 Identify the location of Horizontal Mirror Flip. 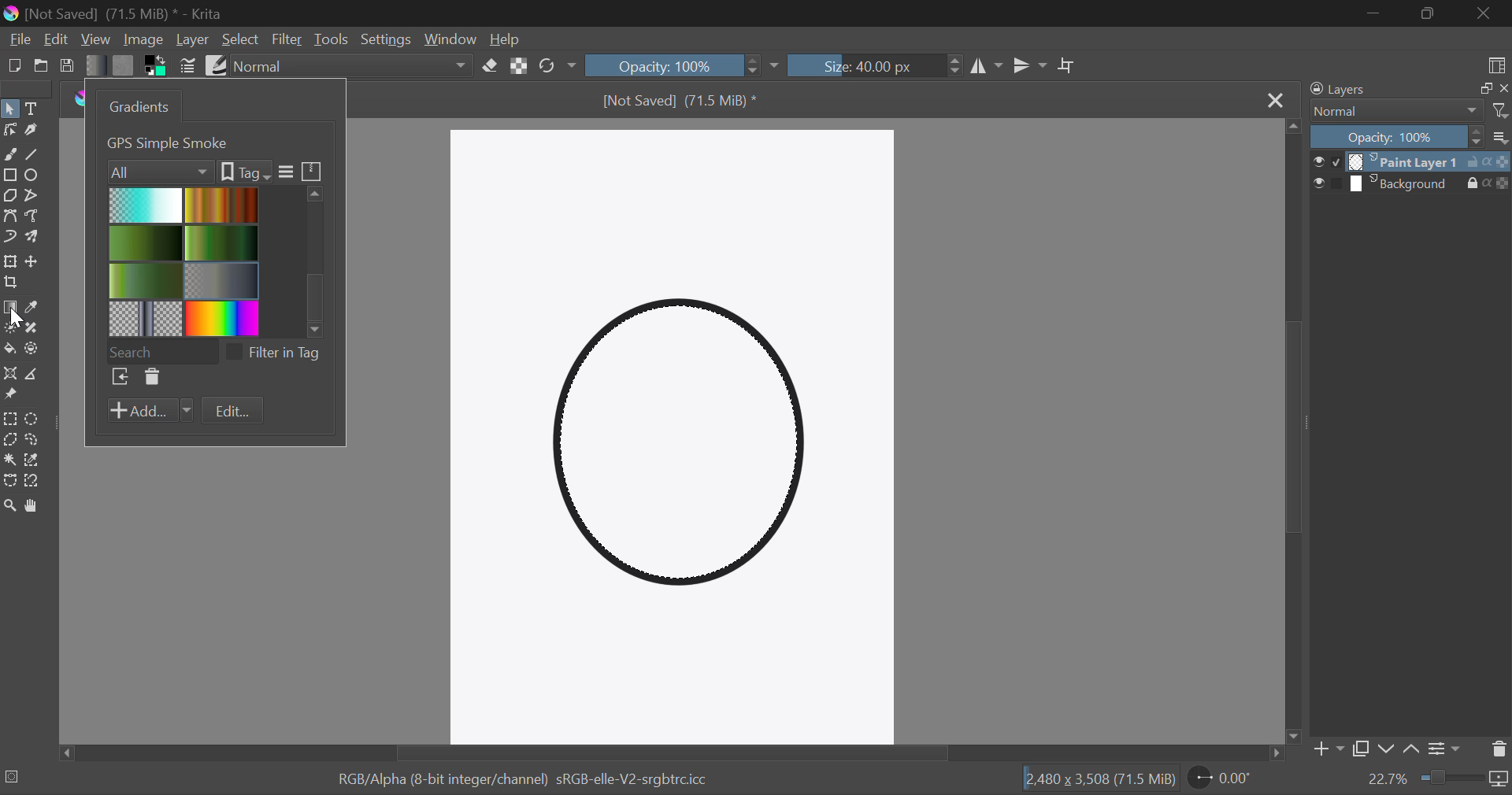
(1032, 68).